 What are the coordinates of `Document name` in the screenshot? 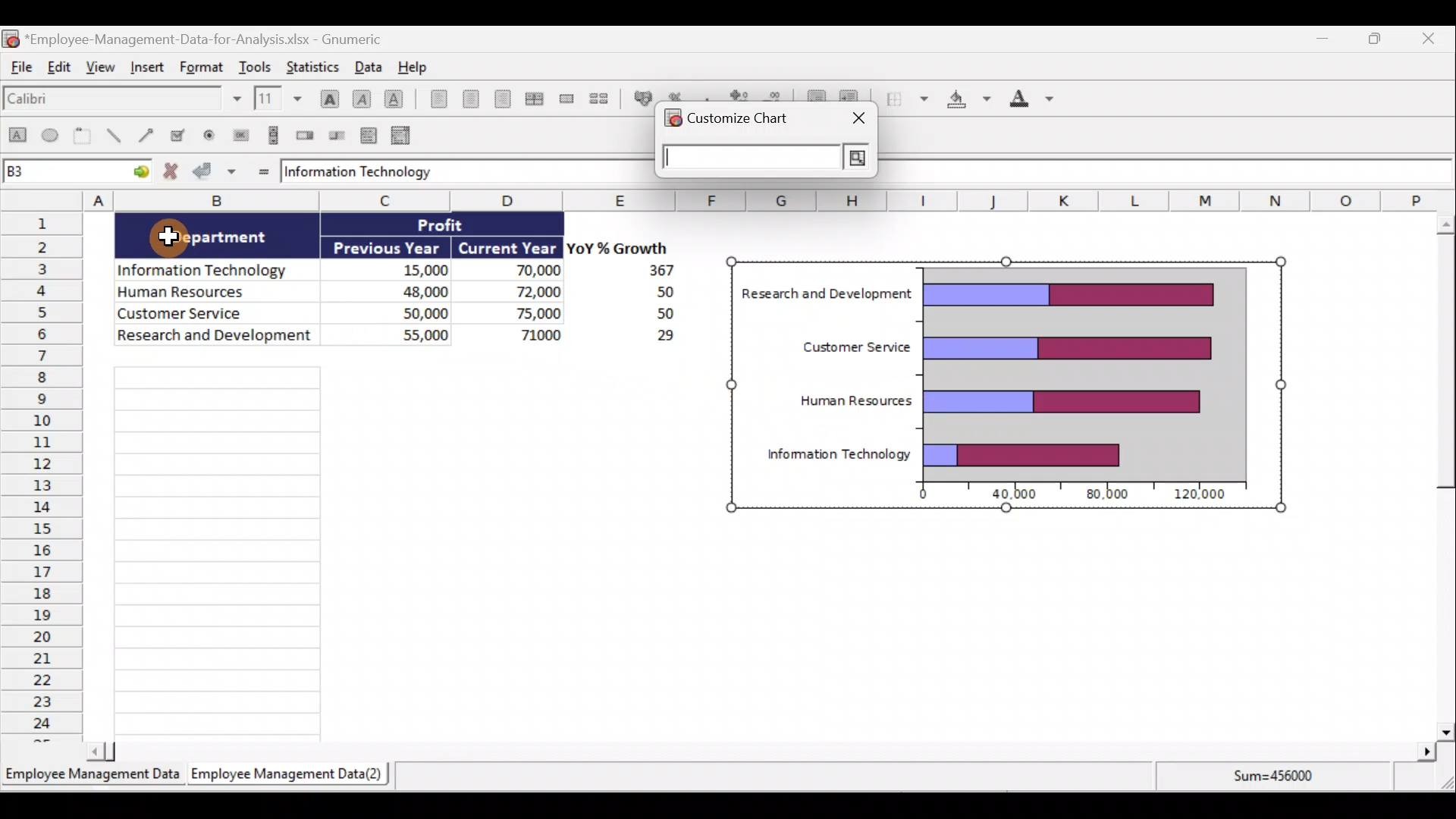 It's located at (194, 37).